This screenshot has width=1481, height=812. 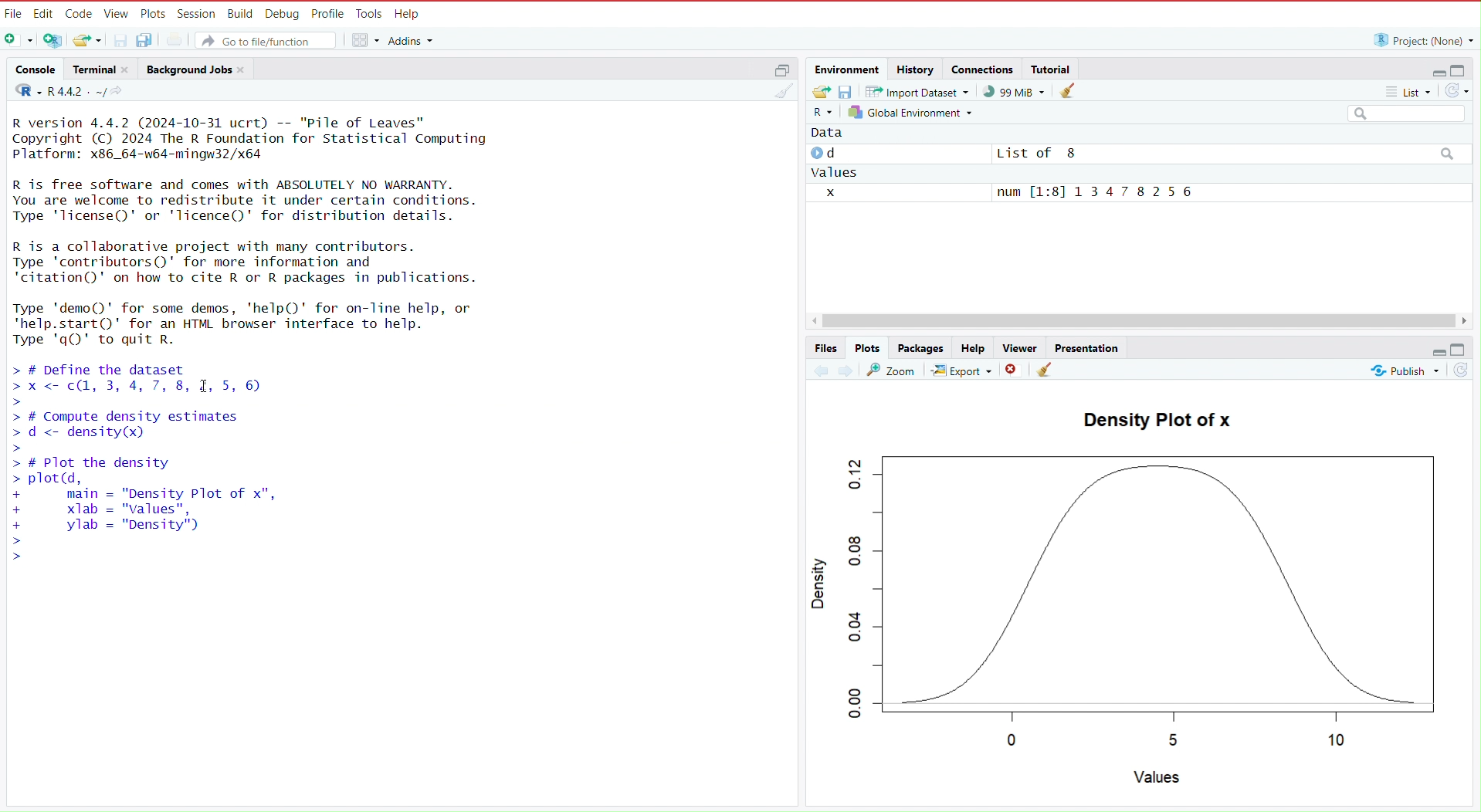 I want to click on prompt cursor, so click(x=10, y=374).